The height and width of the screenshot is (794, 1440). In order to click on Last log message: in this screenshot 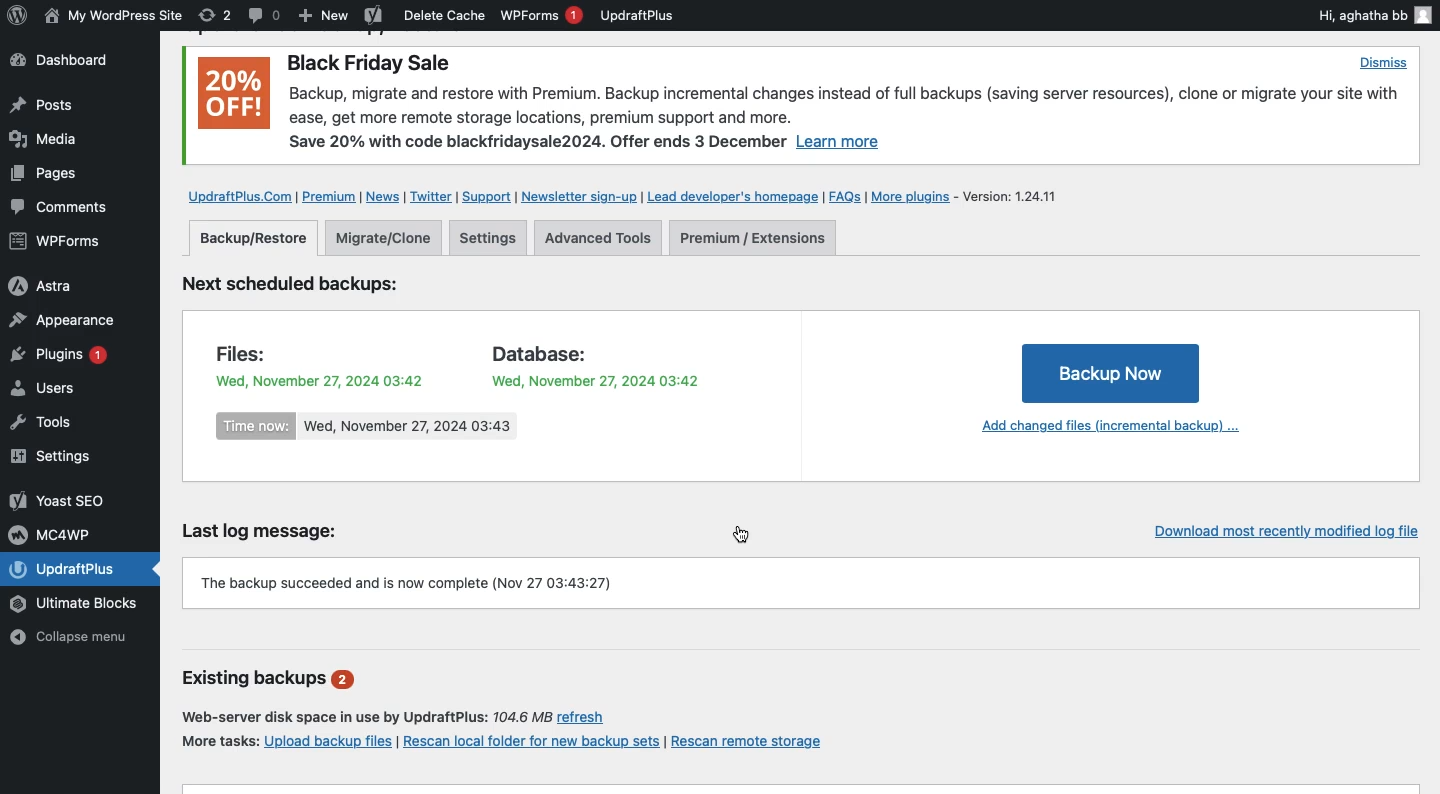, I will do `click(274, 528)`.